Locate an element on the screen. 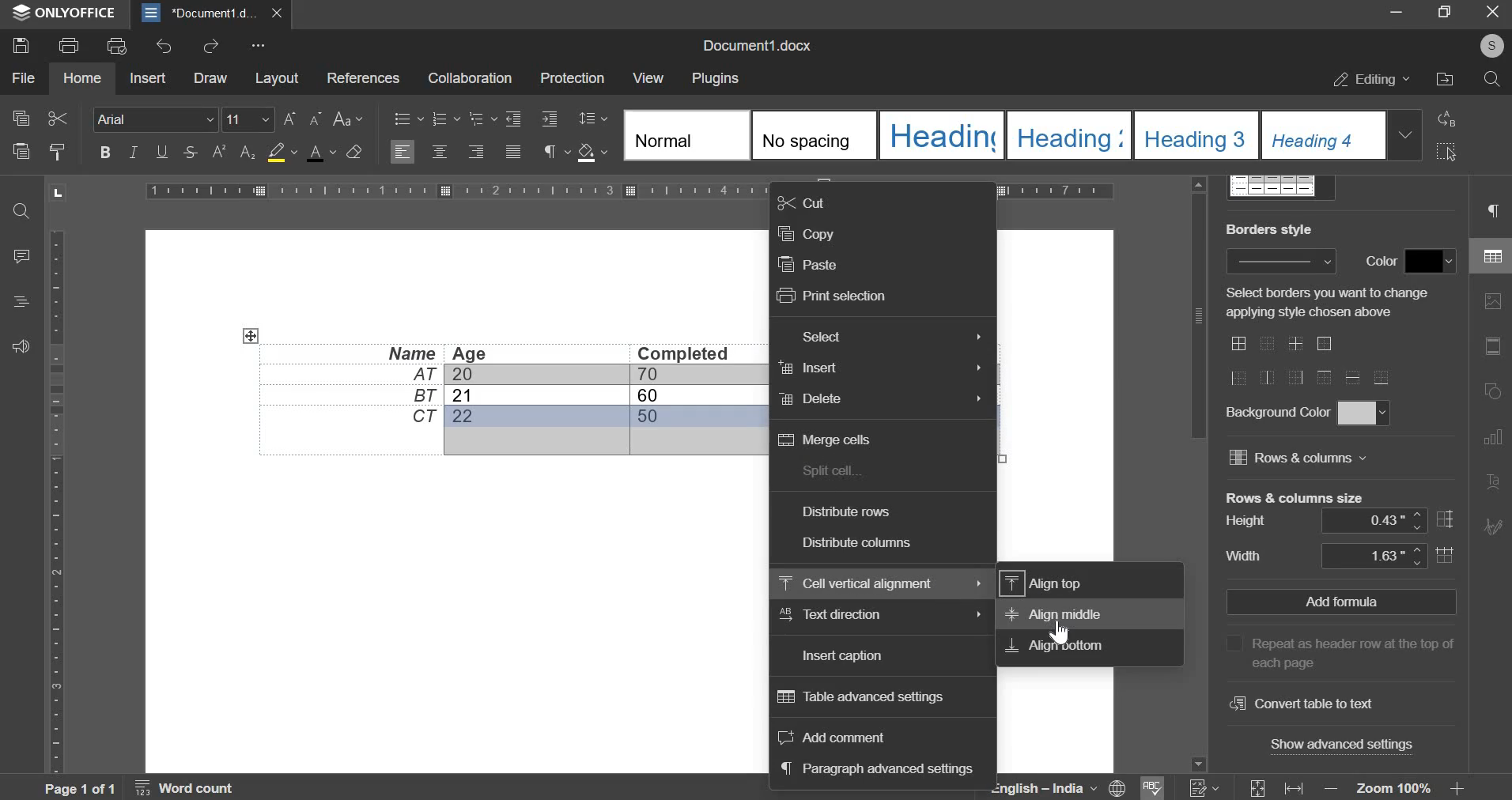  bold is located at coordinates (105, 152).